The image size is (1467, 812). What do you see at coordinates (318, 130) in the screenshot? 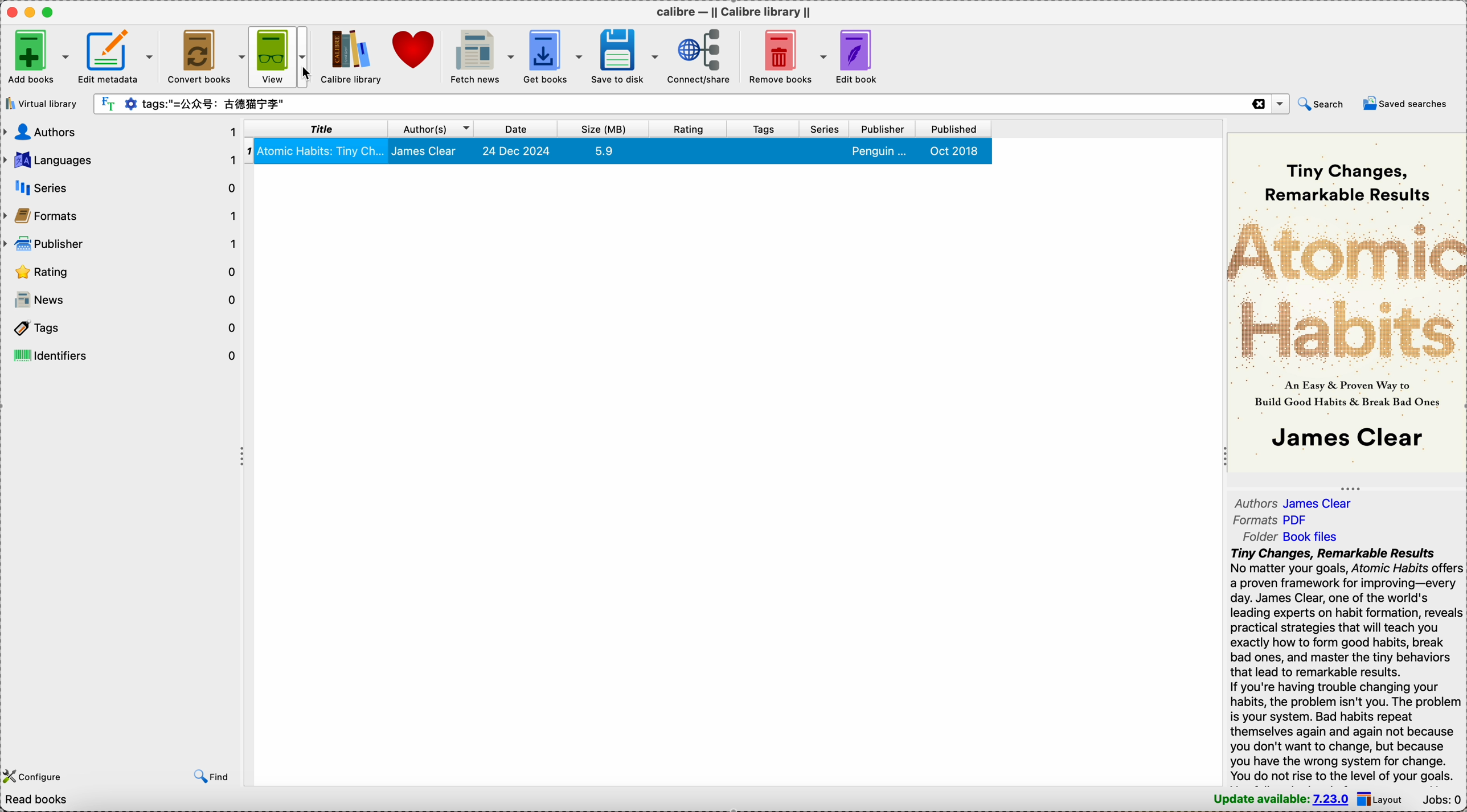
I see `title` at bounding box center [318, 130].